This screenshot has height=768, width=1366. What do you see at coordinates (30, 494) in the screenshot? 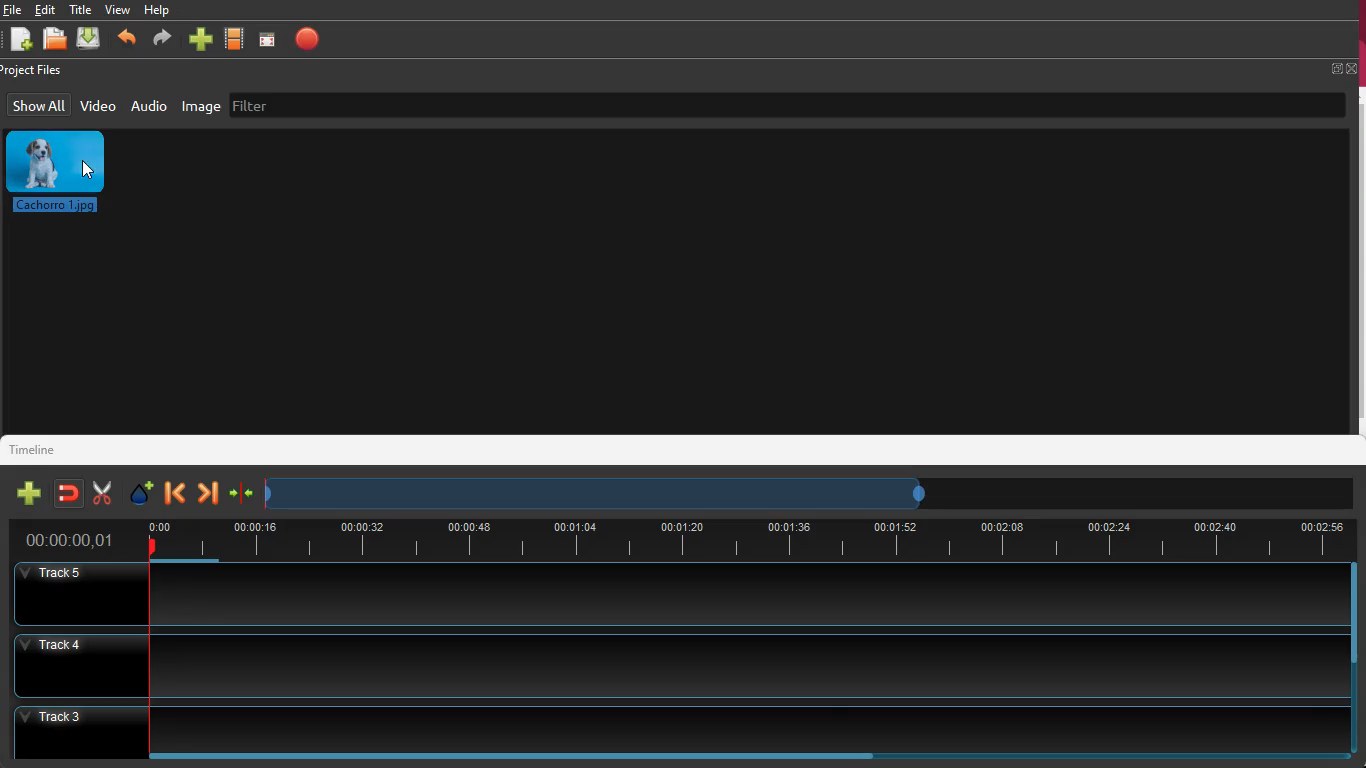
I see `new` at bounding box center [30, 494].